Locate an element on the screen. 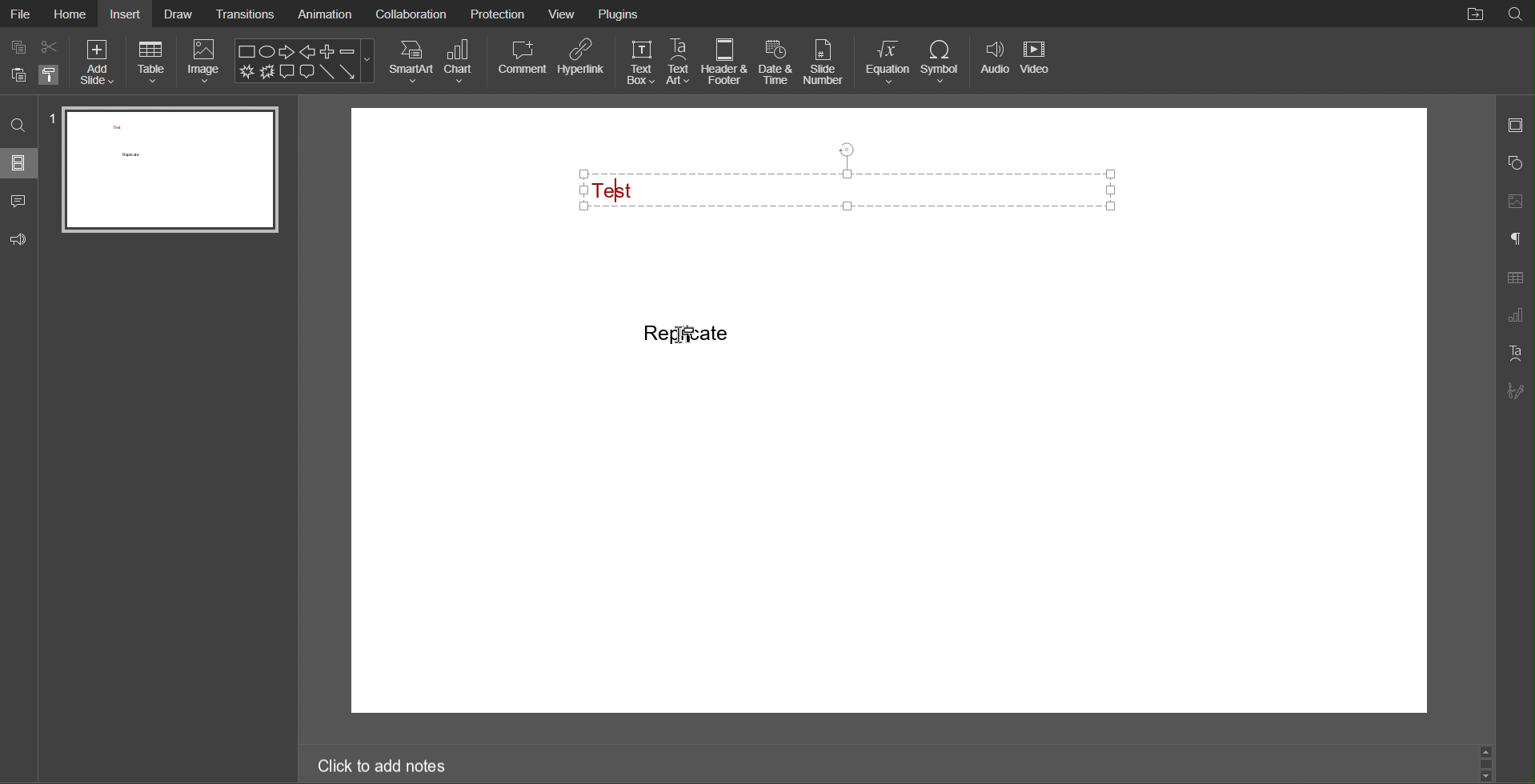 Image resolution: width=1535 pixels, height=784 pixels. File Location is located at coordinates (1473, 15).